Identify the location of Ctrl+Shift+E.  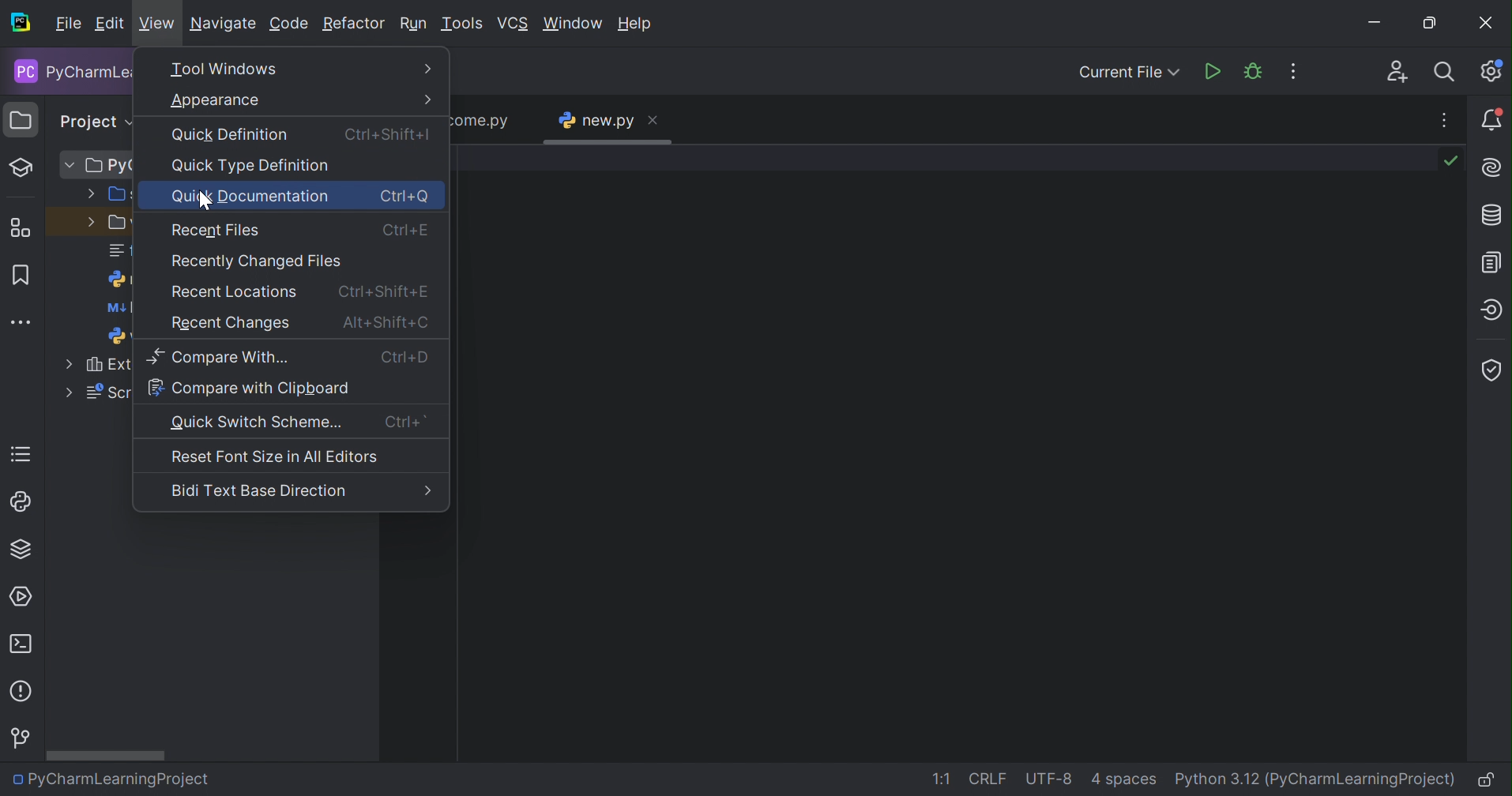
(384, 291).